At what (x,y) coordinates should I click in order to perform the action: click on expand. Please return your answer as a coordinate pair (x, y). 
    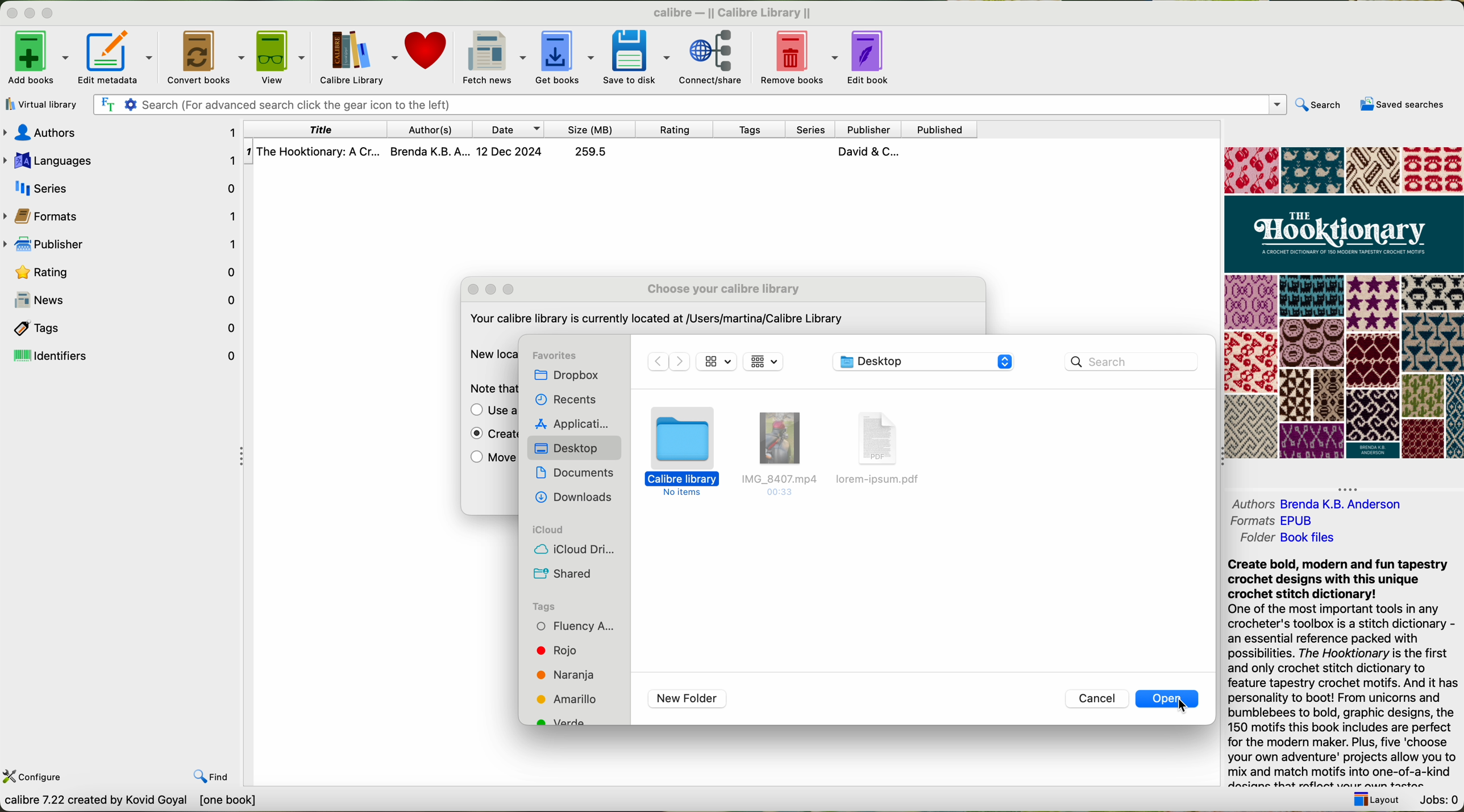
    Looking at the image, I should click on (510, 290).